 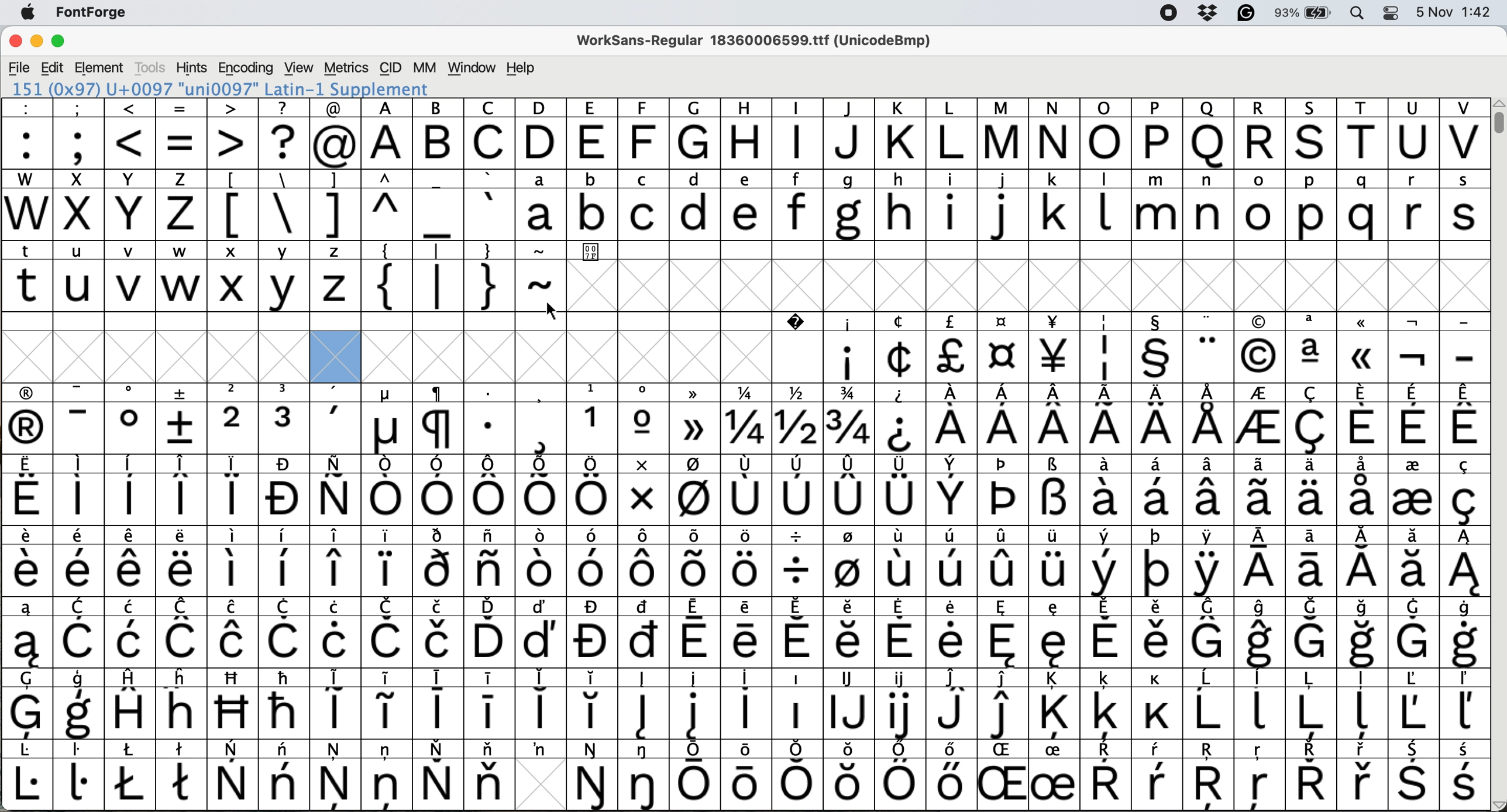 I want to click on symbol, so click(x=1210, y=704).